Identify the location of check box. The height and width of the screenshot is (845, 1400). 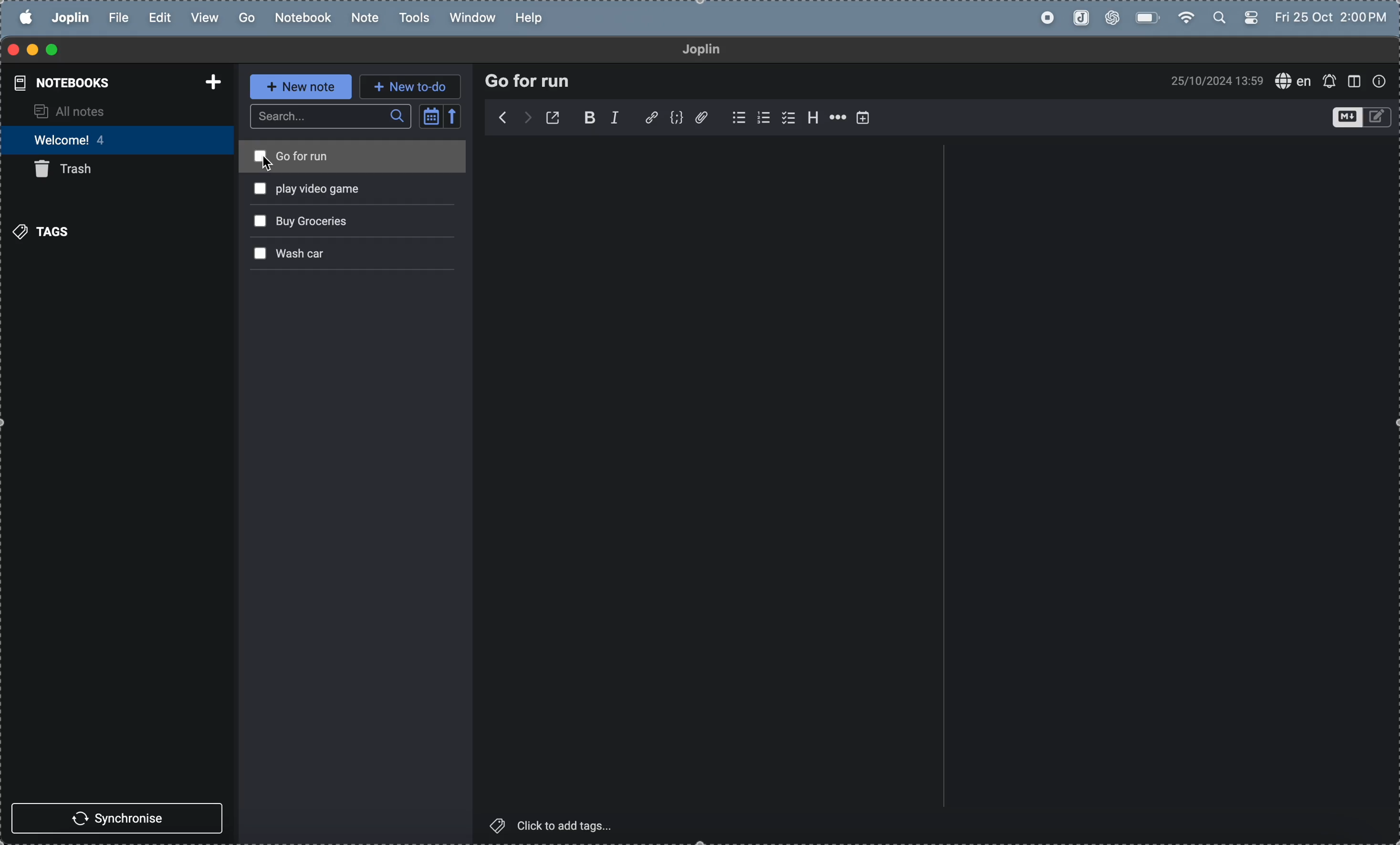
(786, 118).